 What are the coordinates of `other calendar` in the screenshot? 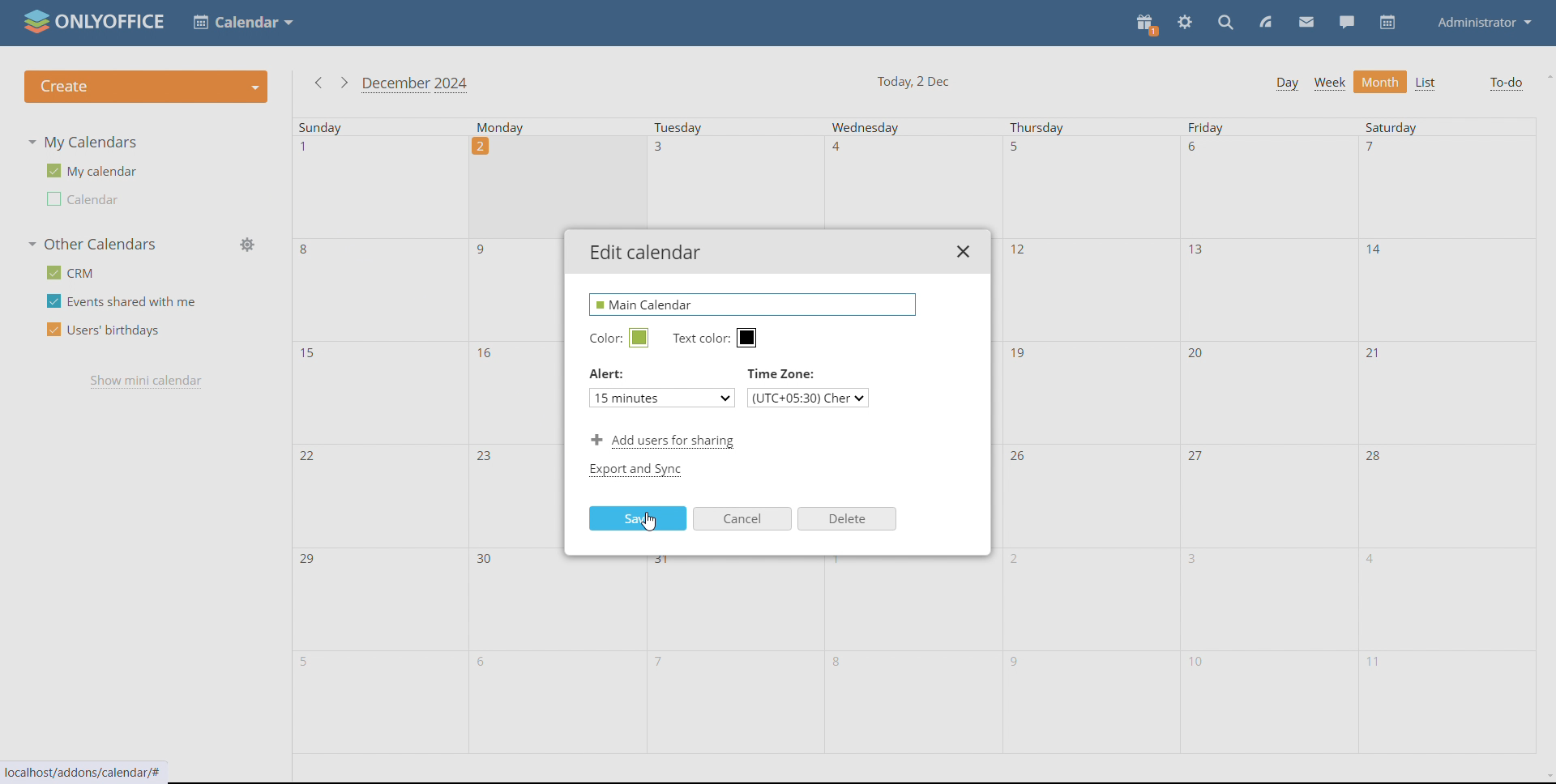 It's located at (91, 199).